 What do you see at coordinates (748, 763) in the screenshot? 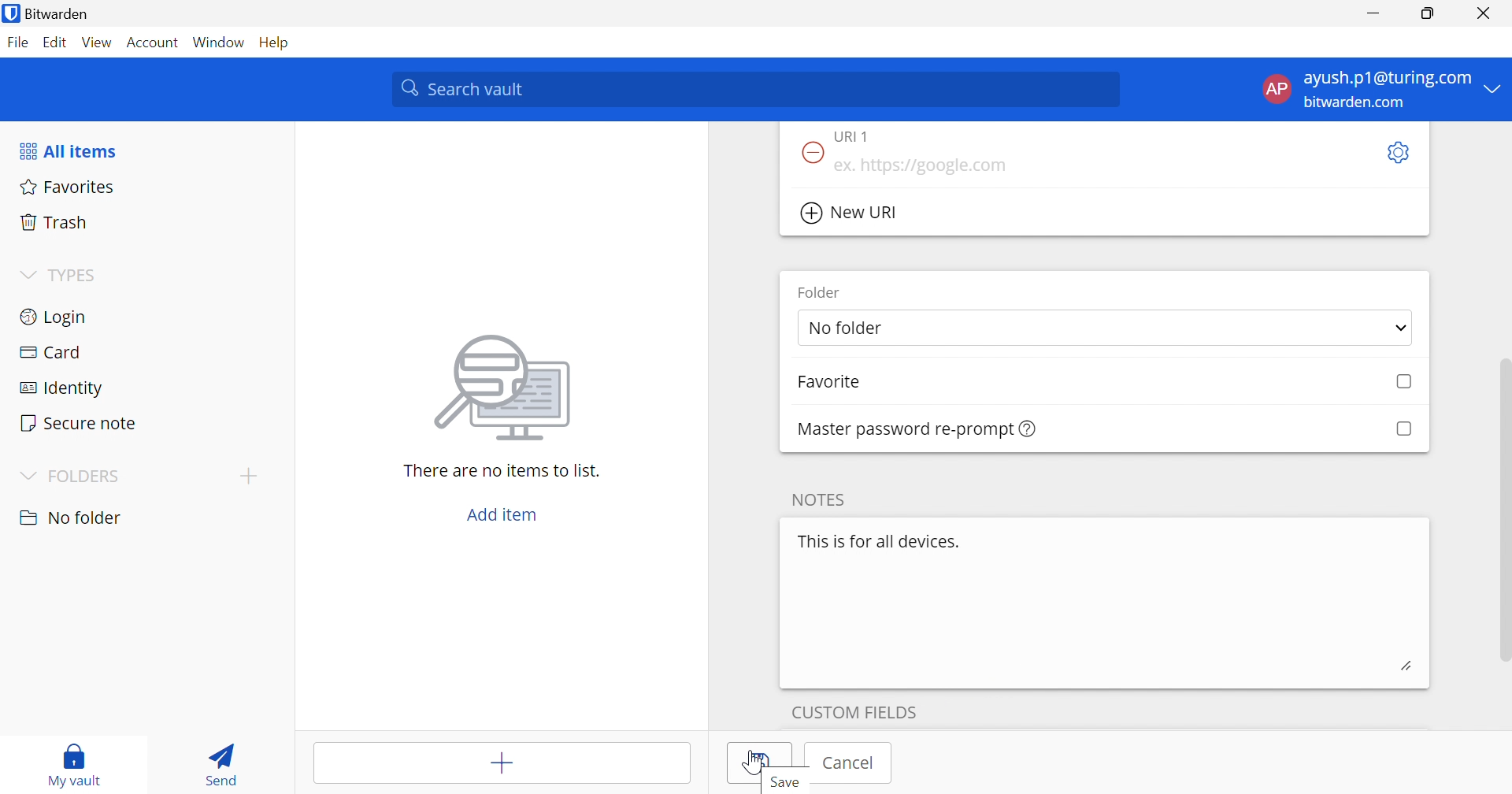
I see `Save` at bounding box center [748, 763].